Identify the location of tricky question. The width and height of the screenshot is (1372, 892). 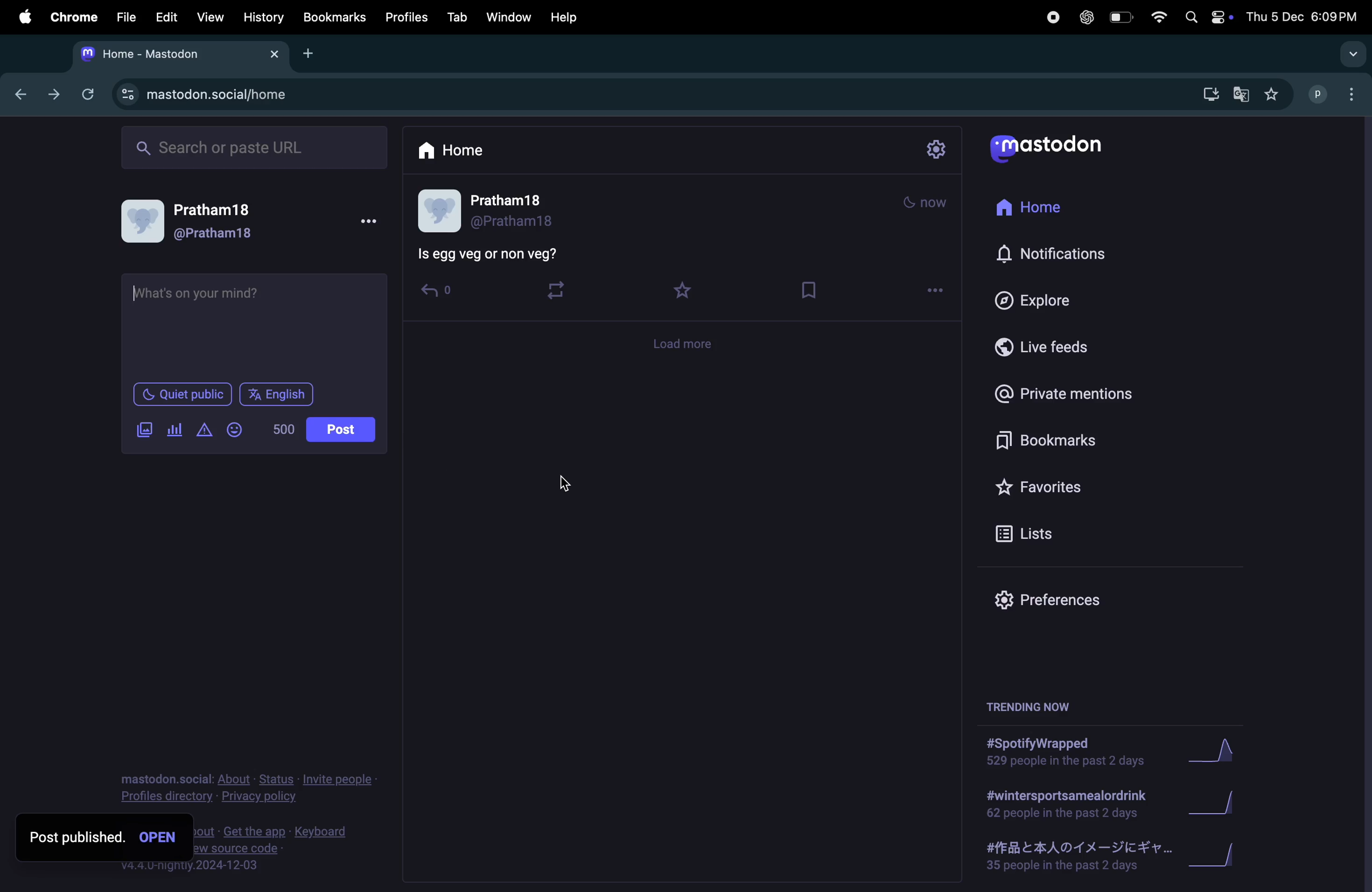
(503, 257).